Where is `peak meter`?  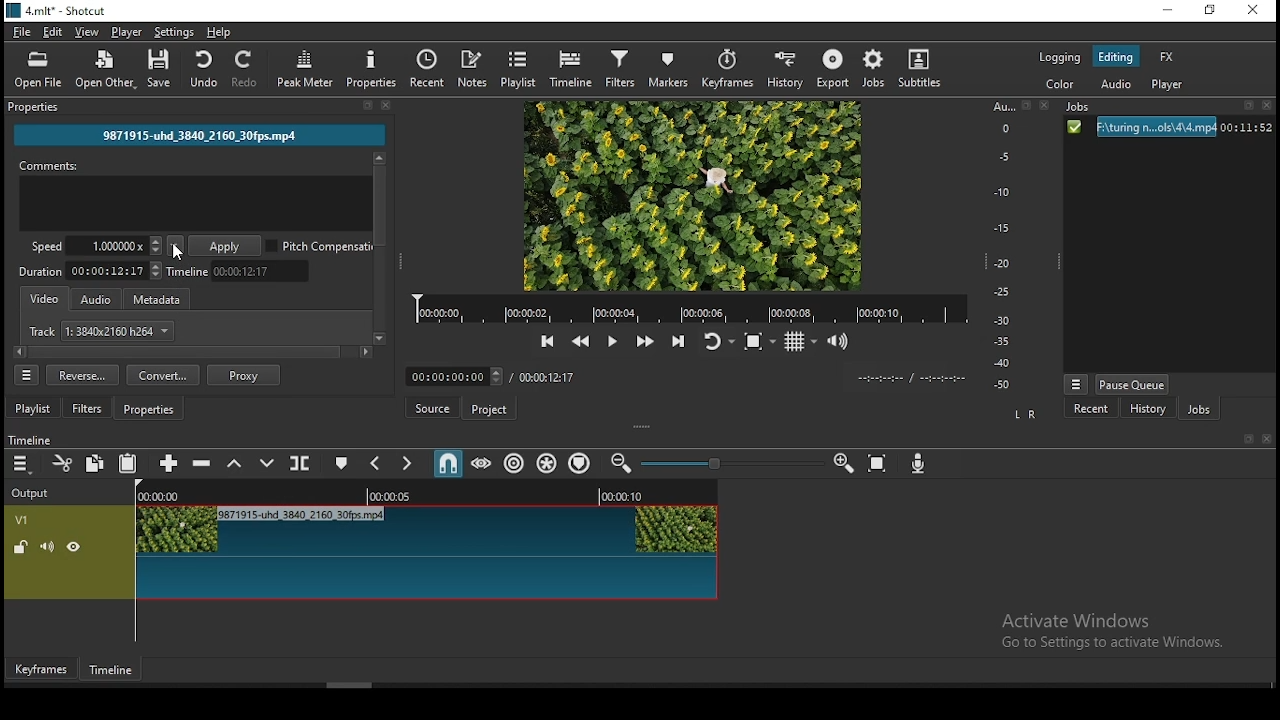
peak meter is located at coordinates (306, 68).